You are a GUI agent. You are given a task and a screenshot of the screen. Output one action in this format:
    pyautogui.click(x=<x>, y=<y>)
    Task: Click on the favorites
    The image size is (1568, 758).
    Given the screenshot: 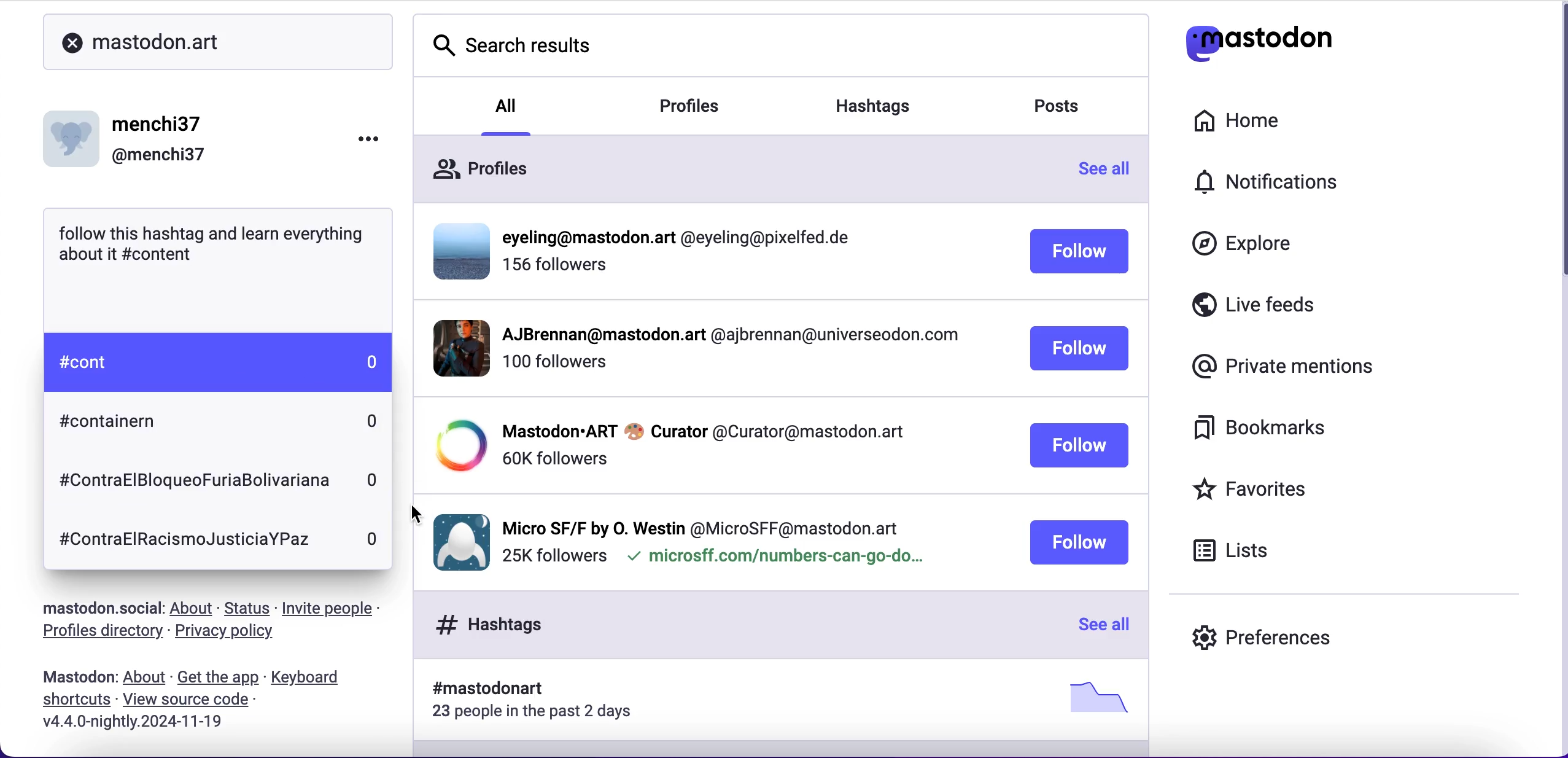 What is the action you would take?
    pyautogui.click(x=1282, y=488)
    